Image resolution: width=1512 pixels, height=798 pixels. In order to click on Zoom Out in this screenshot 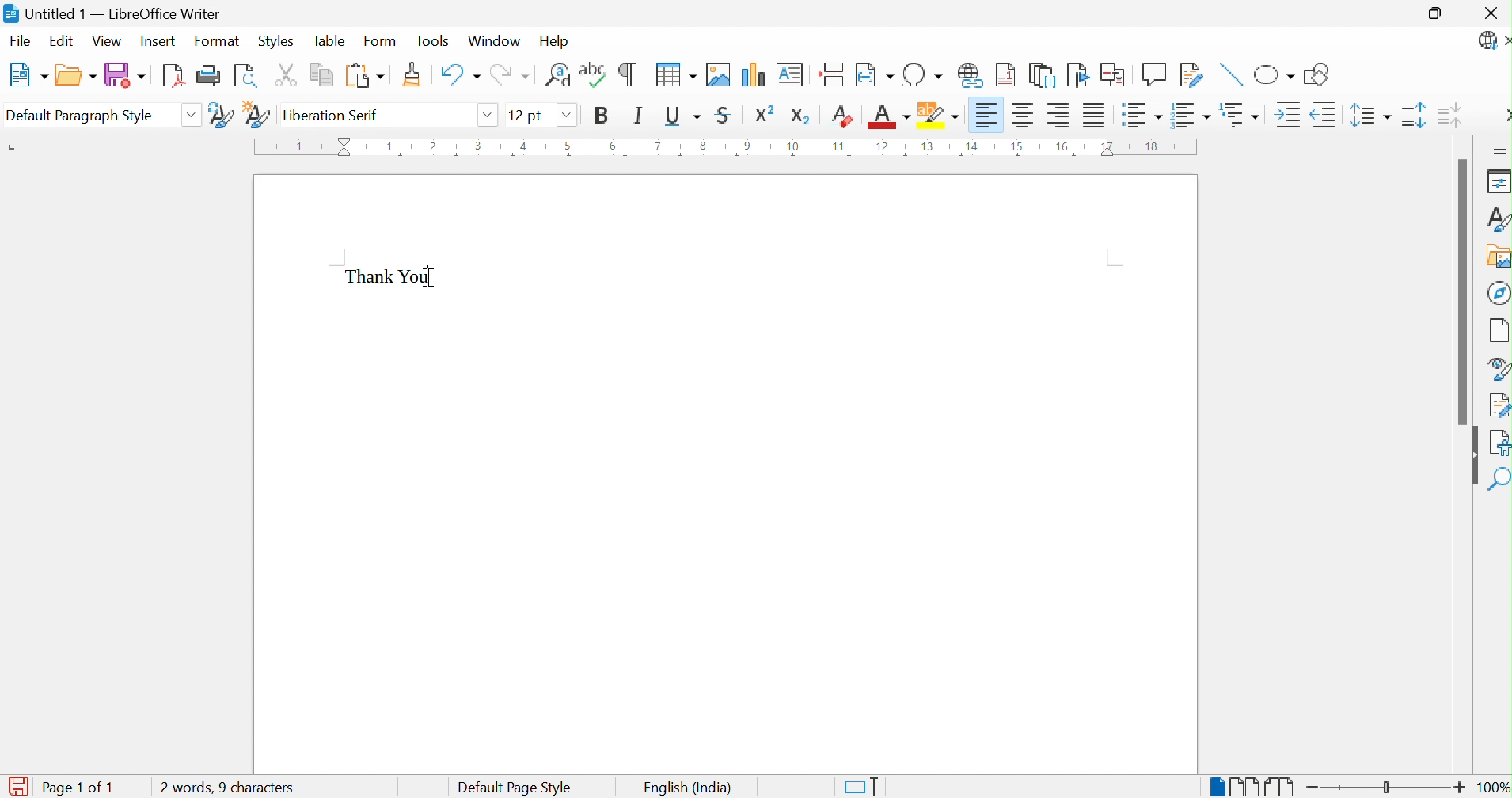, I will do `click(1313, 788)`.